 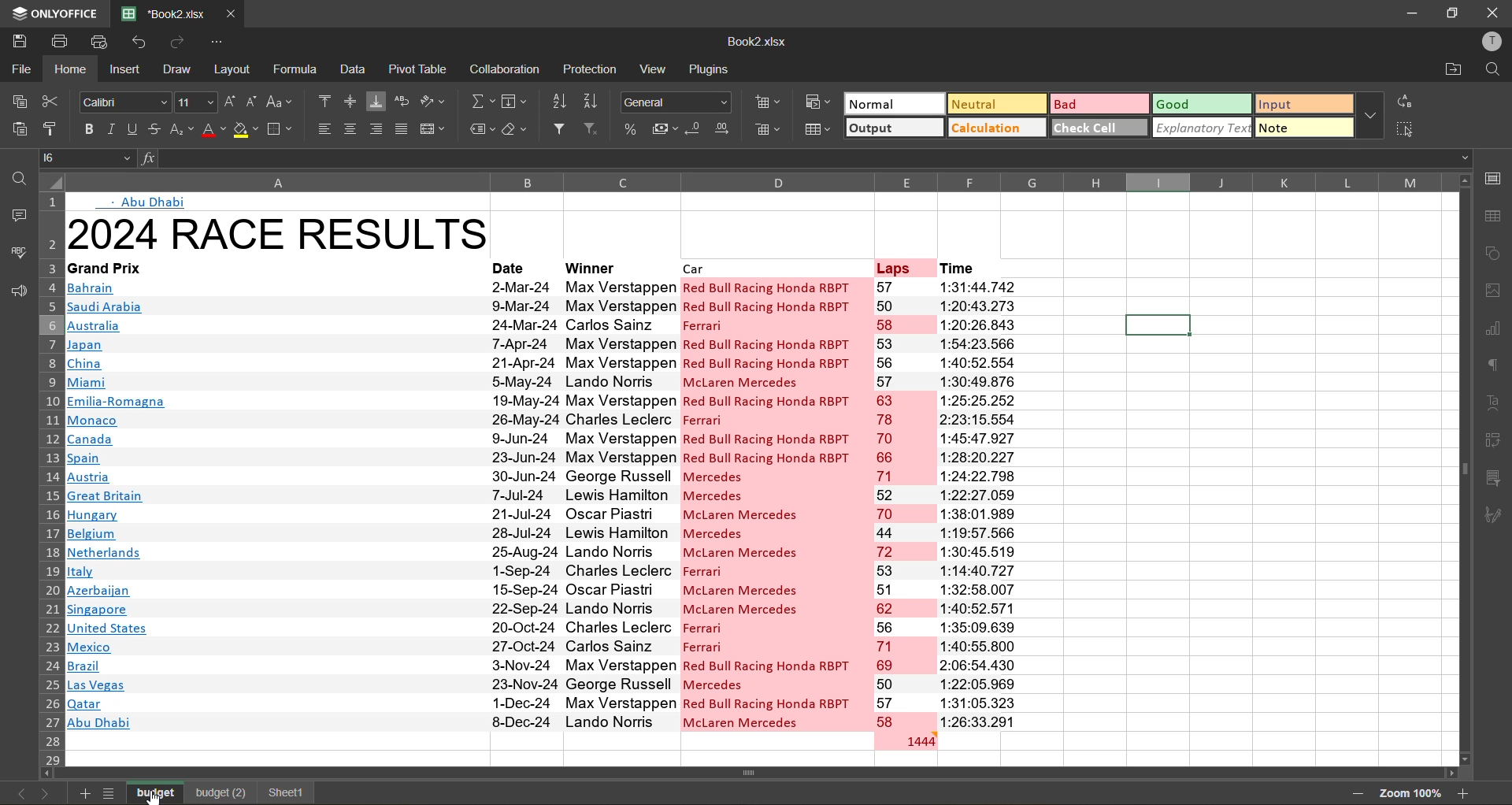 I want to click on grand prix, so click(x=262, y=268).